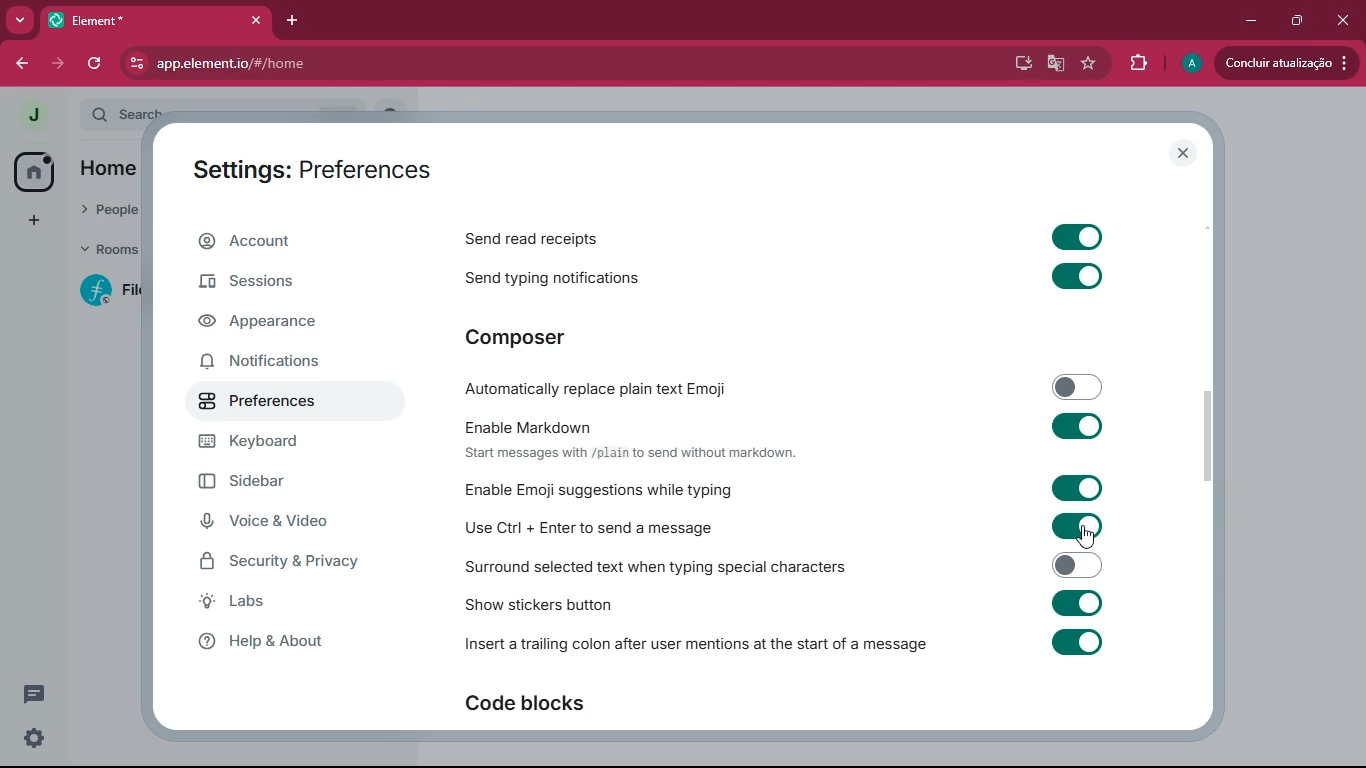  What do you see at coordinates (26, 222) in the screenshot?
I see `add` at bounding box center [26, 222].